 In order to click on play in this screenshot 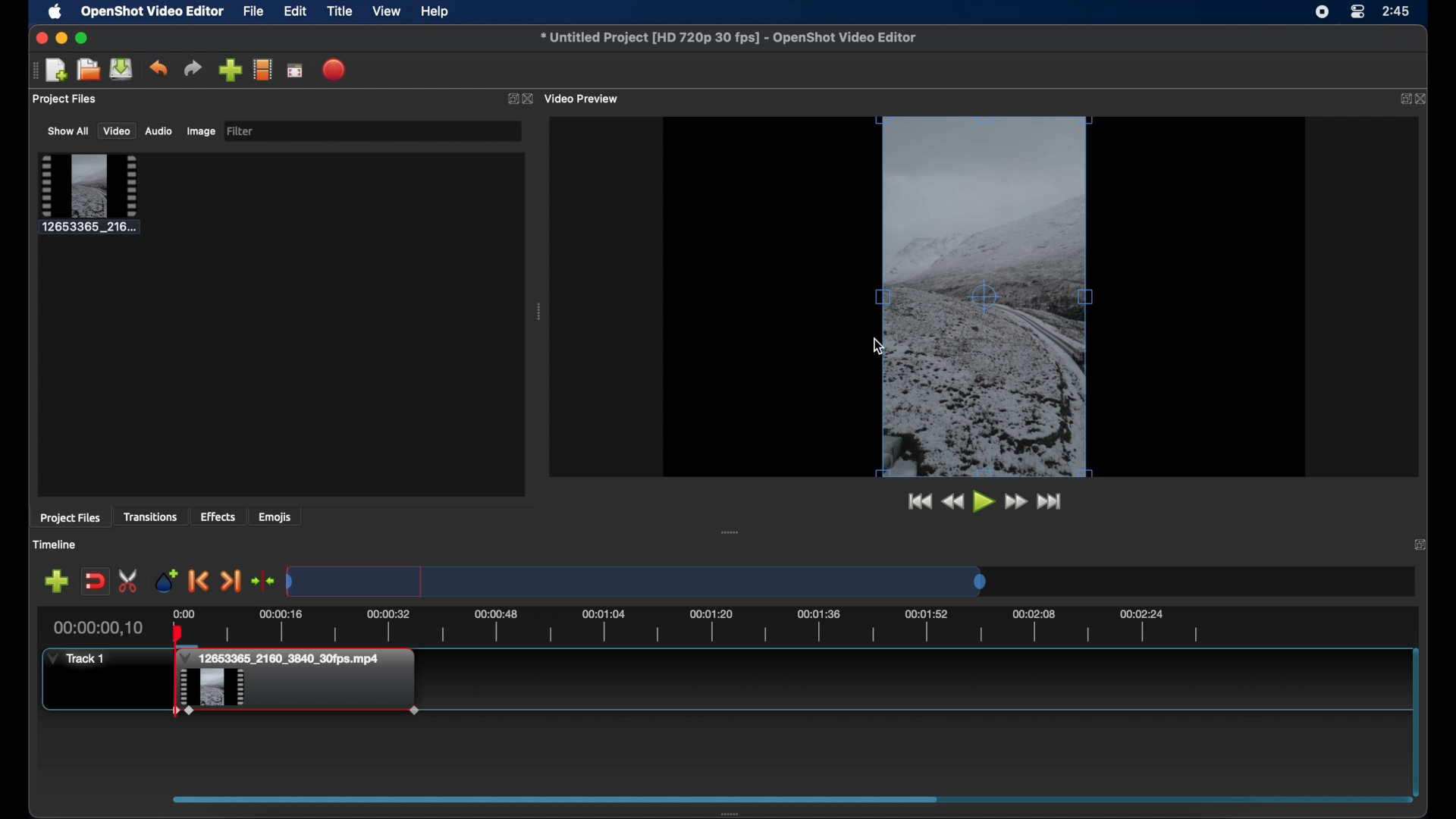, I will do `click(983, 502)`.